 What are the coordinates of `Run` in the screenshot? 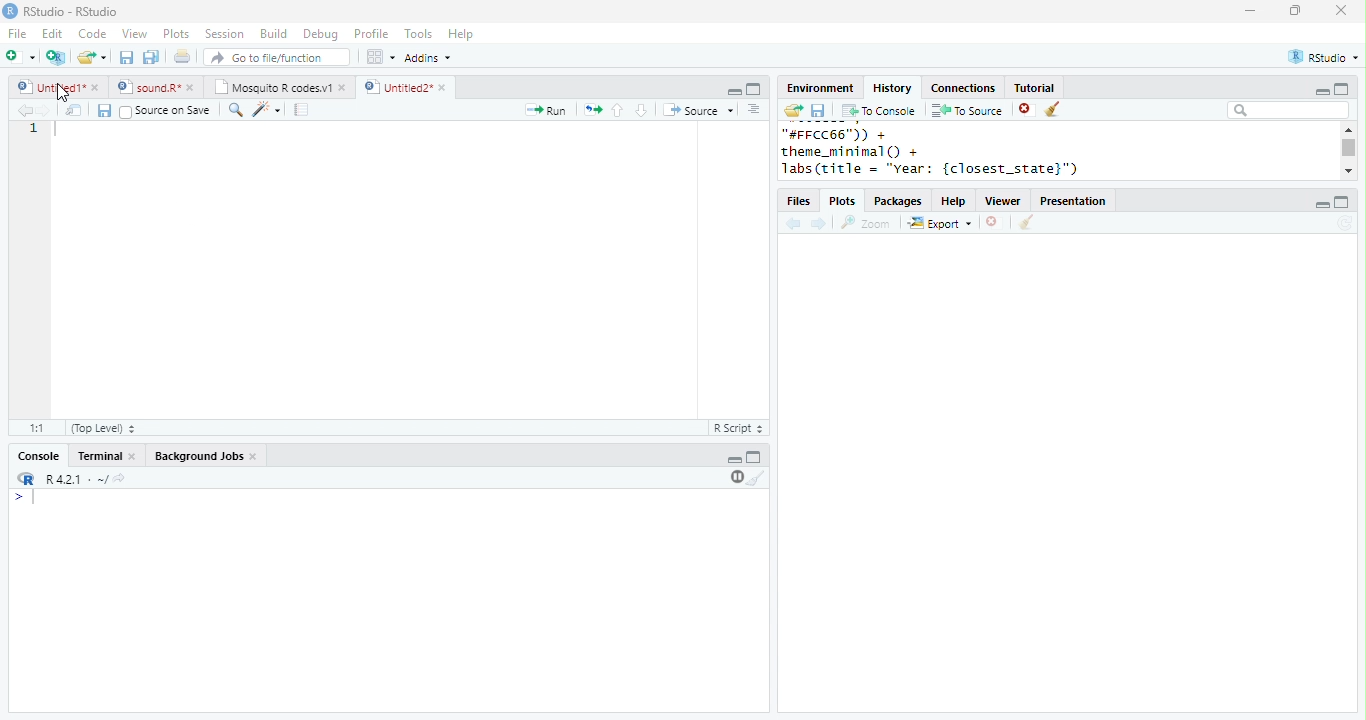 It's located at (548, 110).